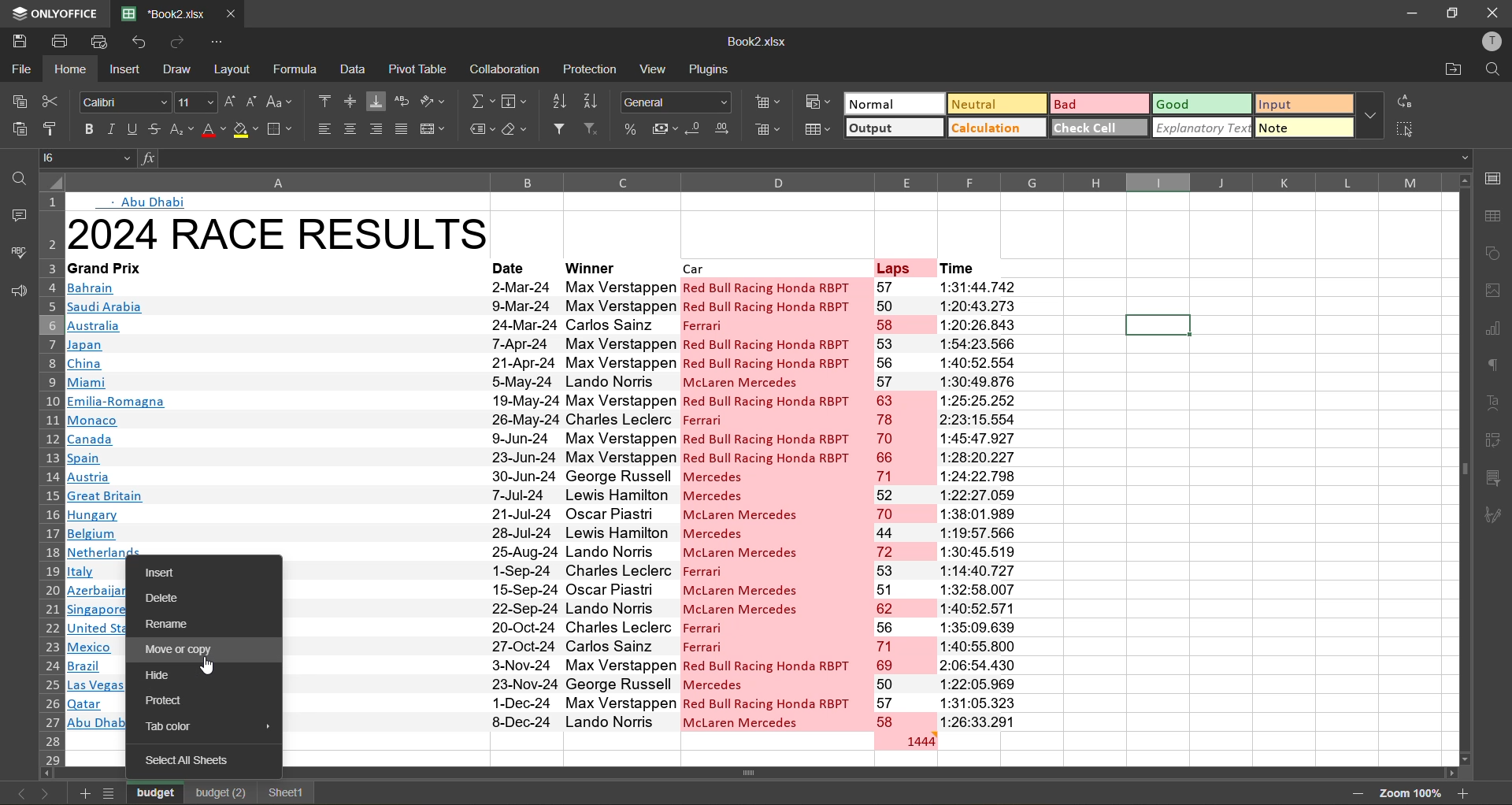 This screenshot has height=805, width=1512. What do you see at coordinates (905, 740) in the screenshot?
I see `total` at bounding box center [905, 740].